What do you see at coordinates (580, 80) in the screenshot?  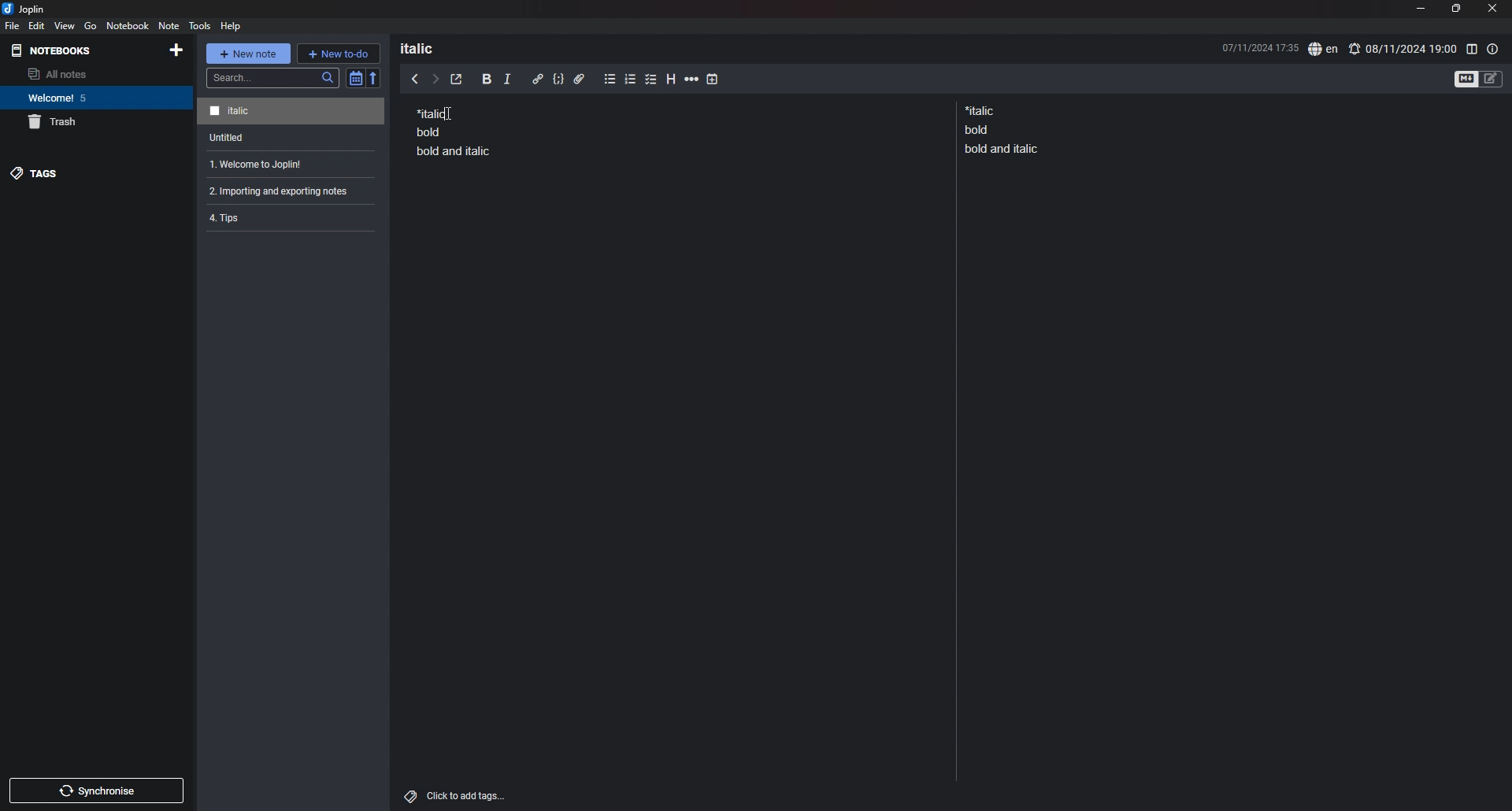 I see `attachment` at bounding box center [580, 80].